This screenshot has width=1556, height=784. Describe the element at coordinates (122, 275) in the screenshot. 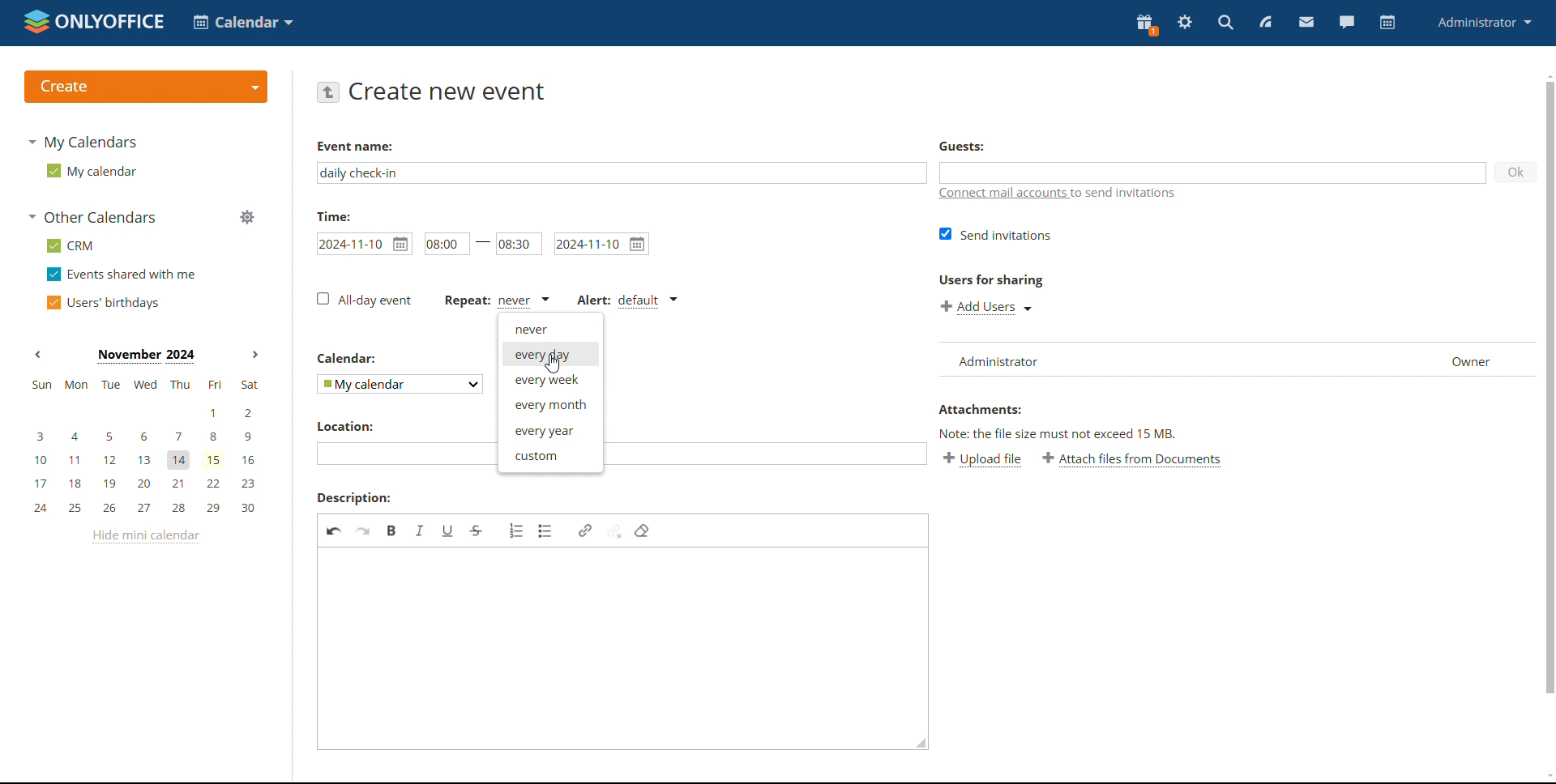

I see `events shared with me` at that location.